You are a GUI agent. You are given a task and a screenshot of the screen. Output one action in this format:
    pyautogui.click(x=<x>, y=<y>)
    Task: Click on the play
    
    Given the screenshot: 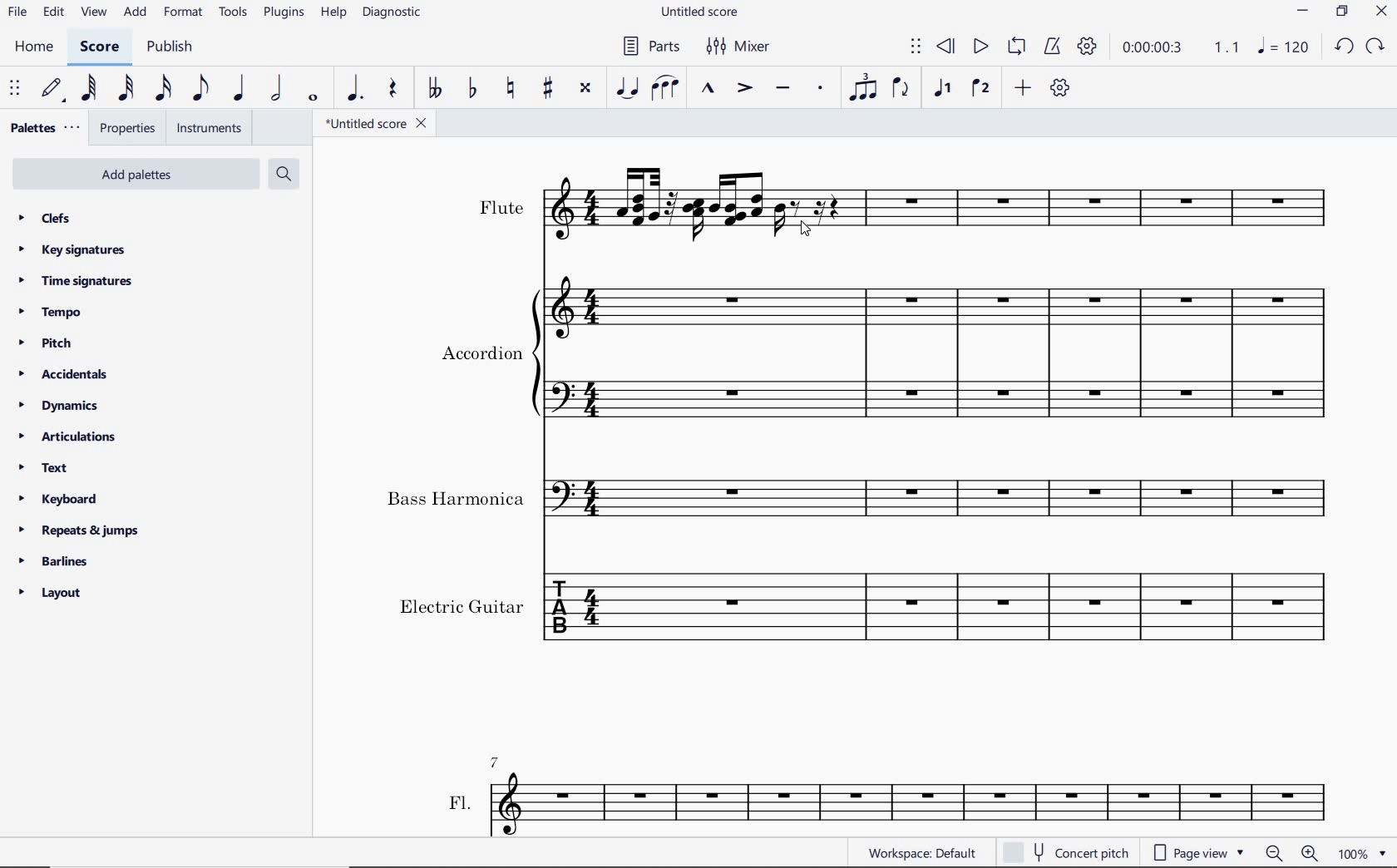 What is the action you would take?
    pyautogui.click(x=980, y=47)
    